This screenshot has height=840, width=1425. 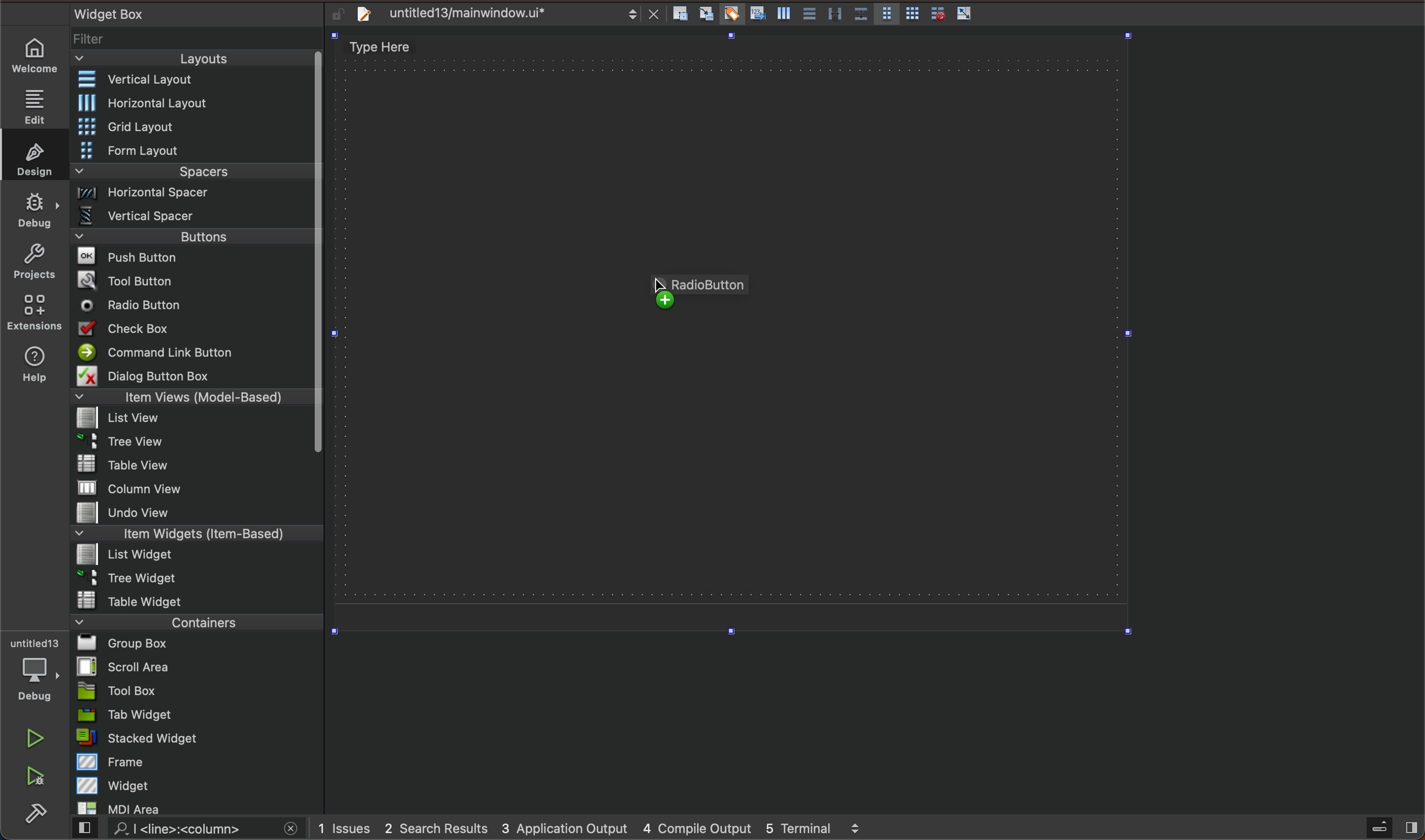 What do you see at coordinates (196, 806) in the screenshot?
I see `mdi area` at bounding box center [196, 806].